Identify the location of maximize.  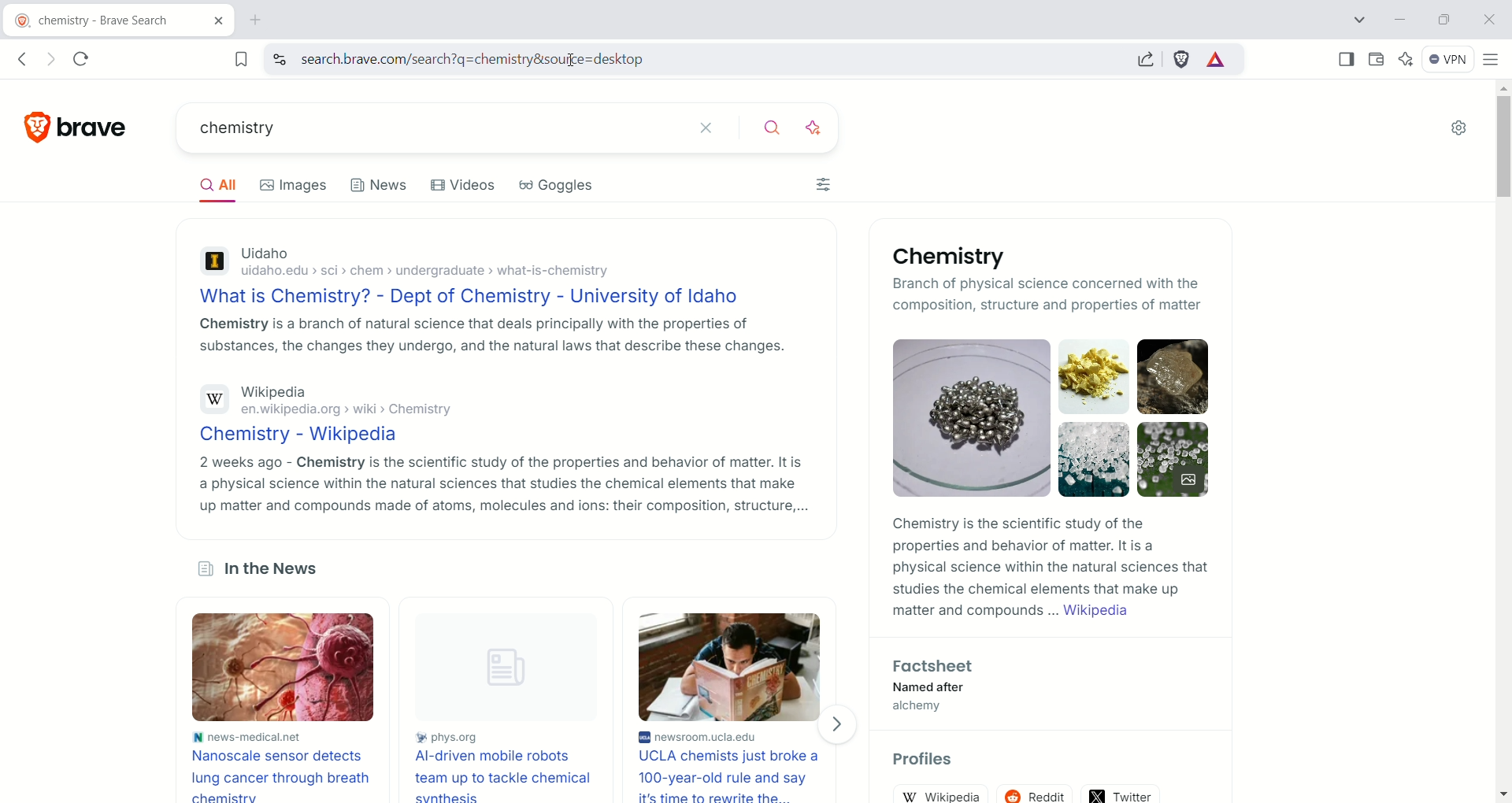
(1444, 20).